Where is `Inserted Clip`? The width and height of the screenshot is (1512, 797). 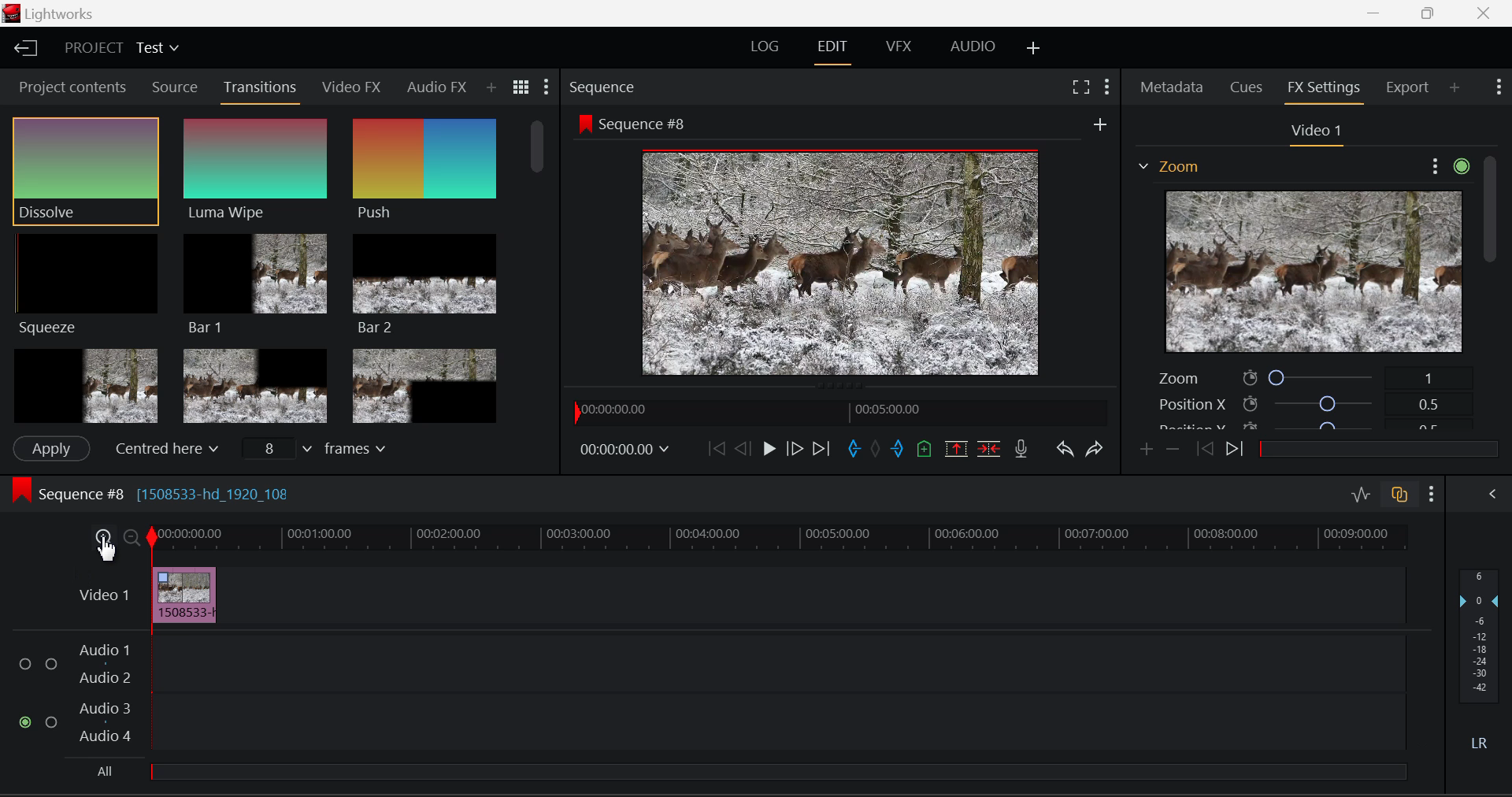 Inserted Clip is located at coordinates (186, 594).